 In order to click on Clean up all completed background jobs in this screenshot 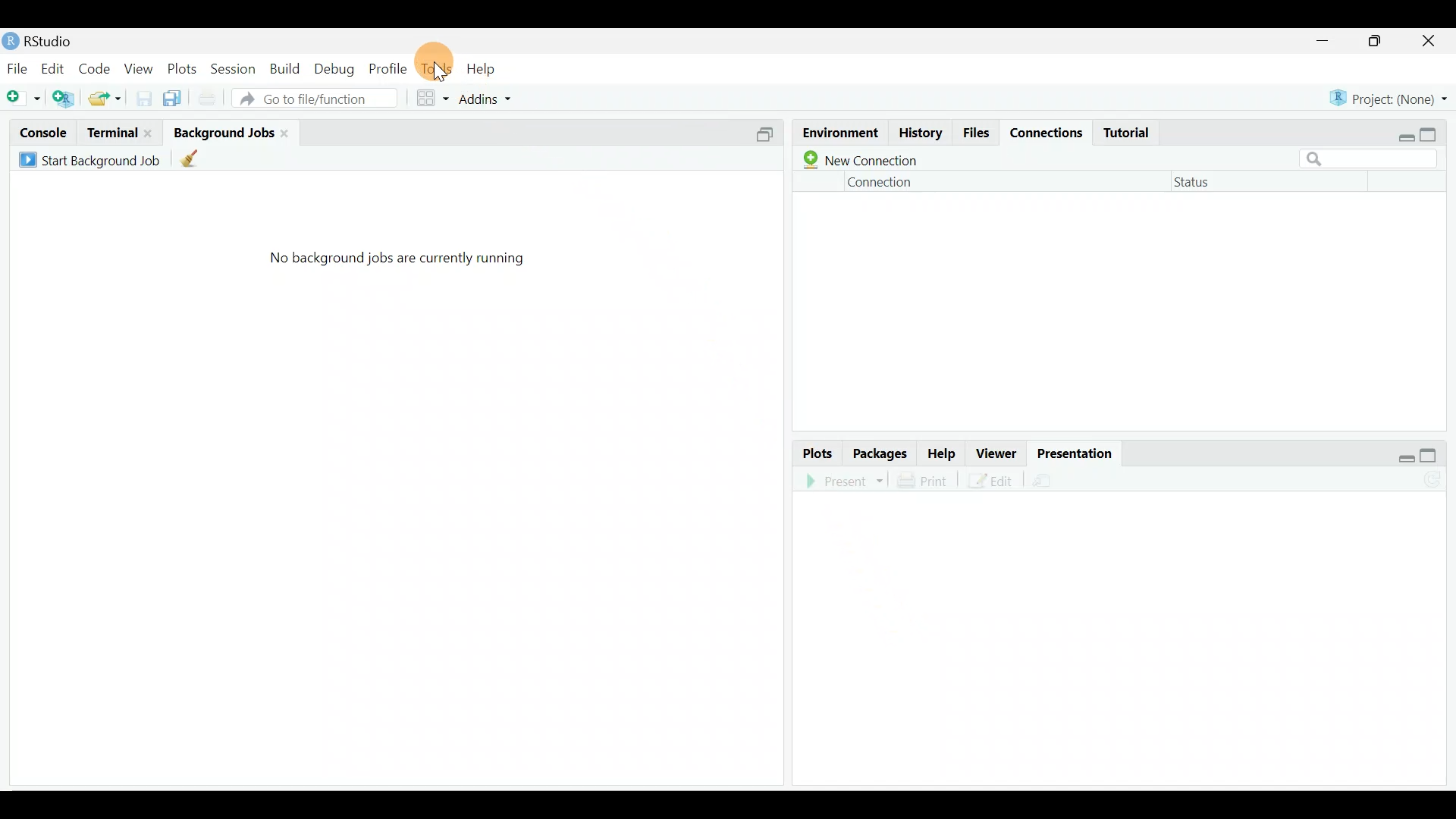, I will do `click(193, 158)`.